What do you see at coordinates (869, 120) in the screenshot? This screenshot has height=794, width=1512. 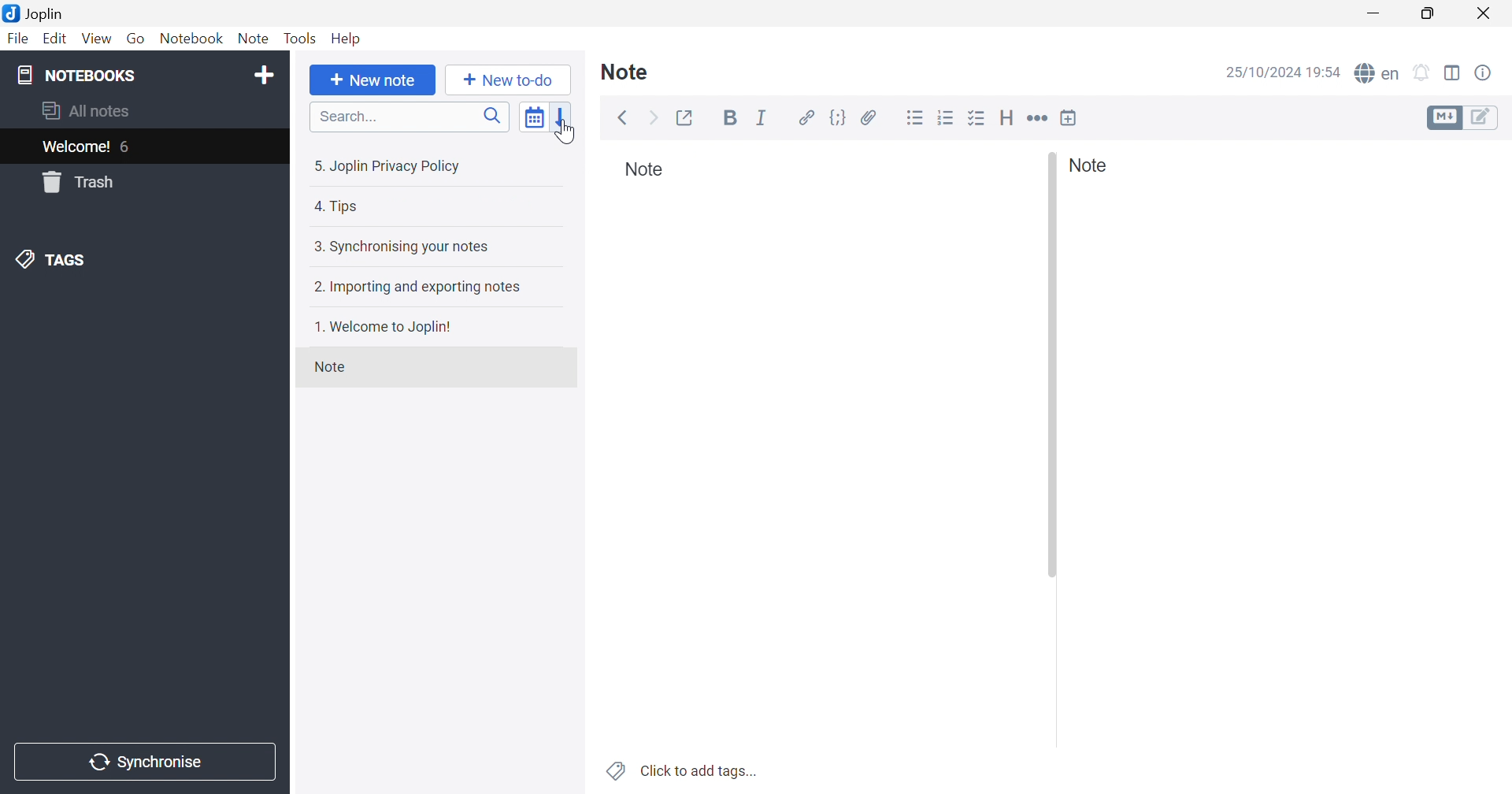 I see `Attach file` at bounding box center [869, 120].